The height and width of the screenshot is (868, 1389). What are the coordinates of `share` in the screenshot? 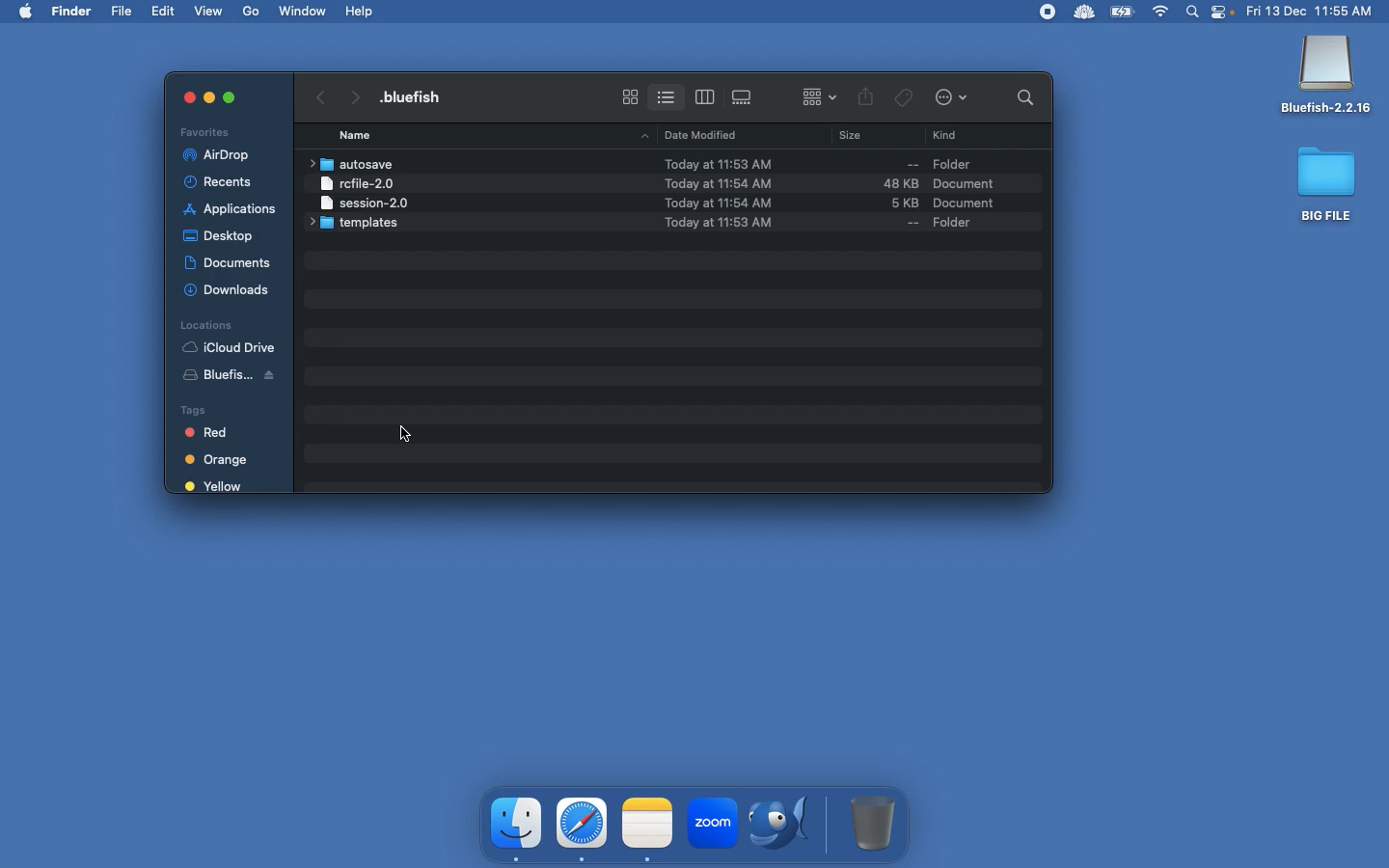 It's located at (866, 98).